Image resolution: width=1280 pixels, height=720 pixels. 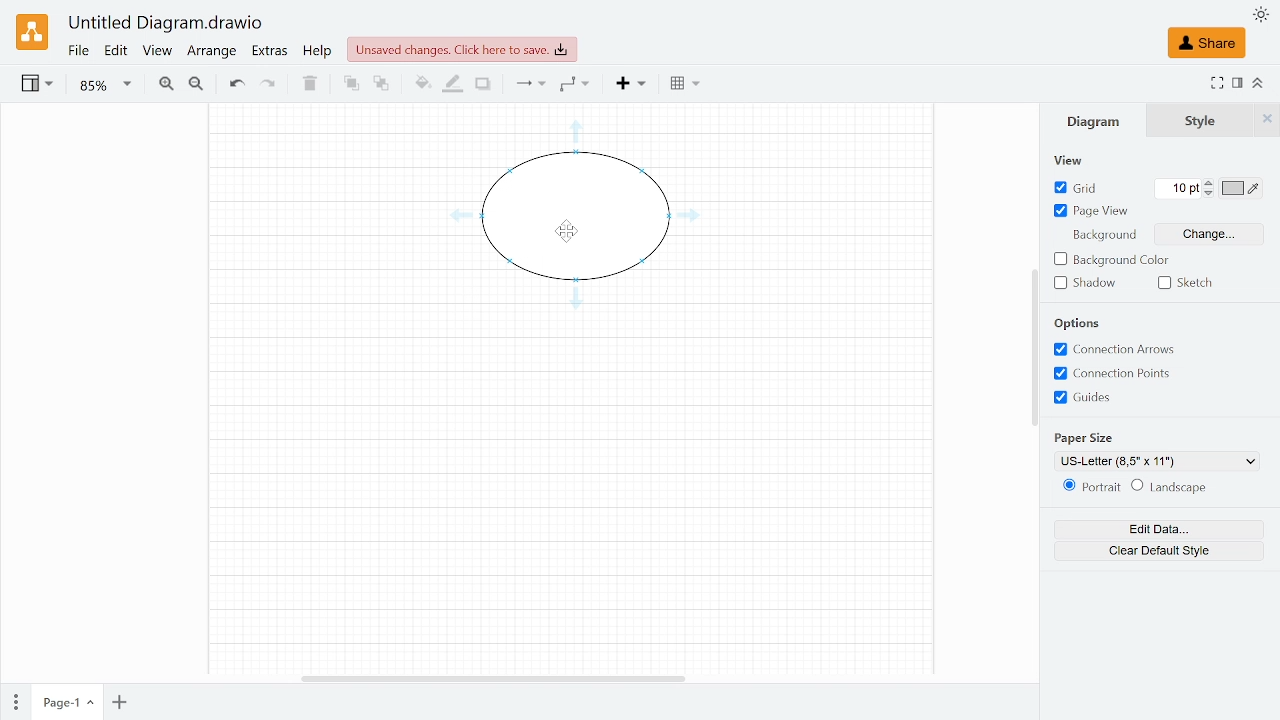 I want to click on Change, so click(x=1210, y=233).